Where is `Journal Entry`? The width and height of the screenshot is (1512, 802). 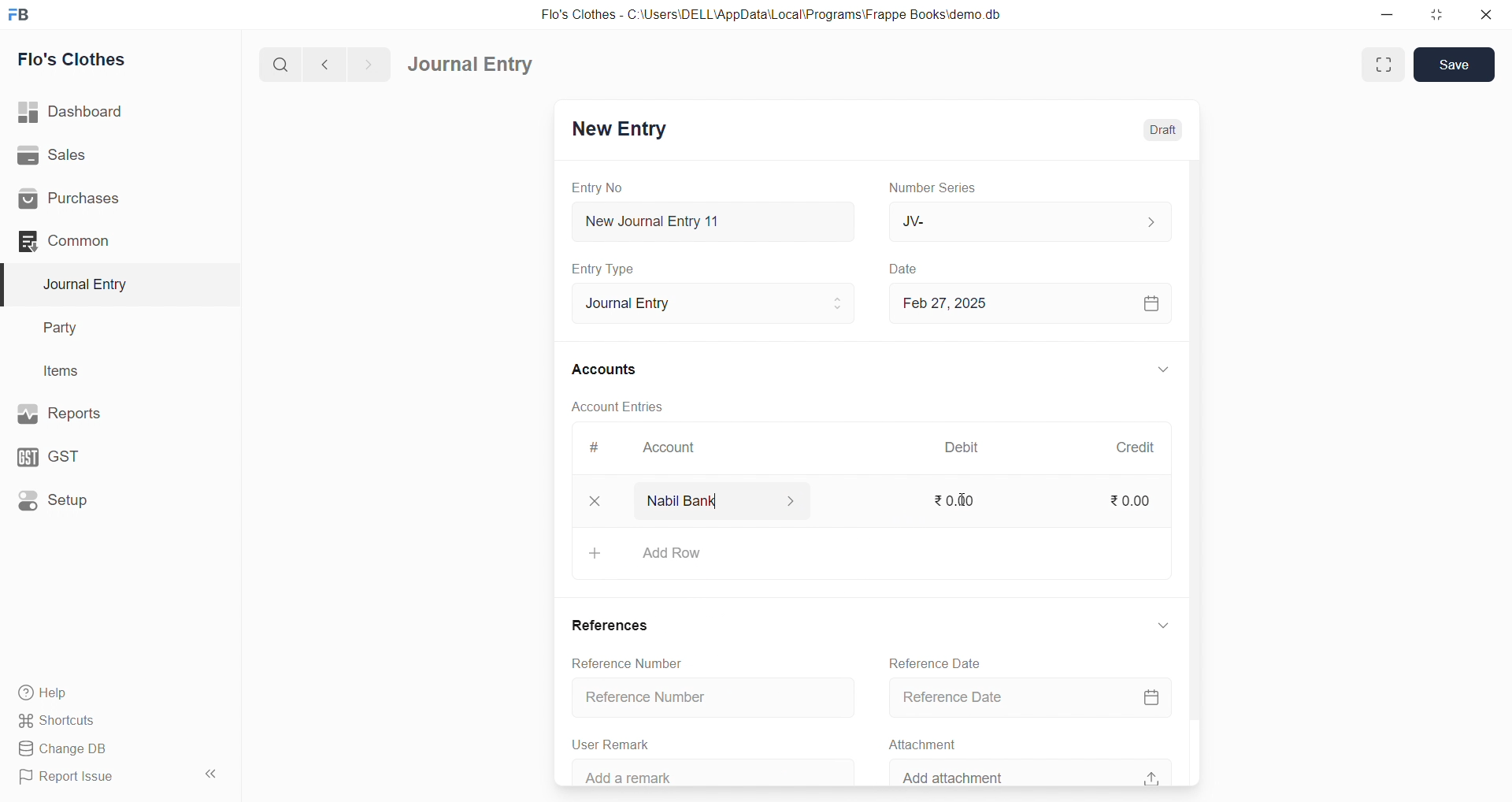
Journal Entry is located at coordinates (90, 284).